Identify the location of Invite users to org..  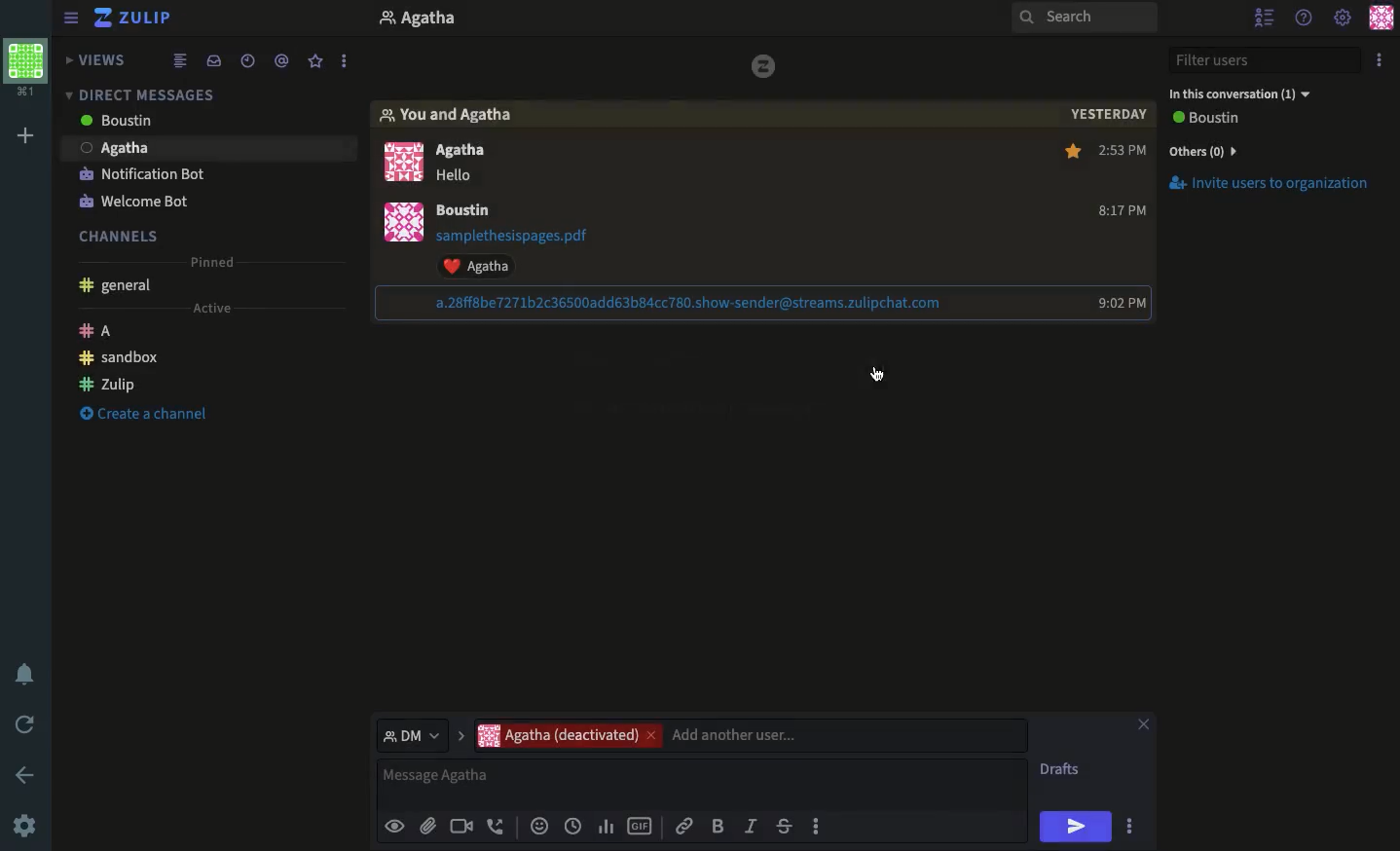
(1272, 148).